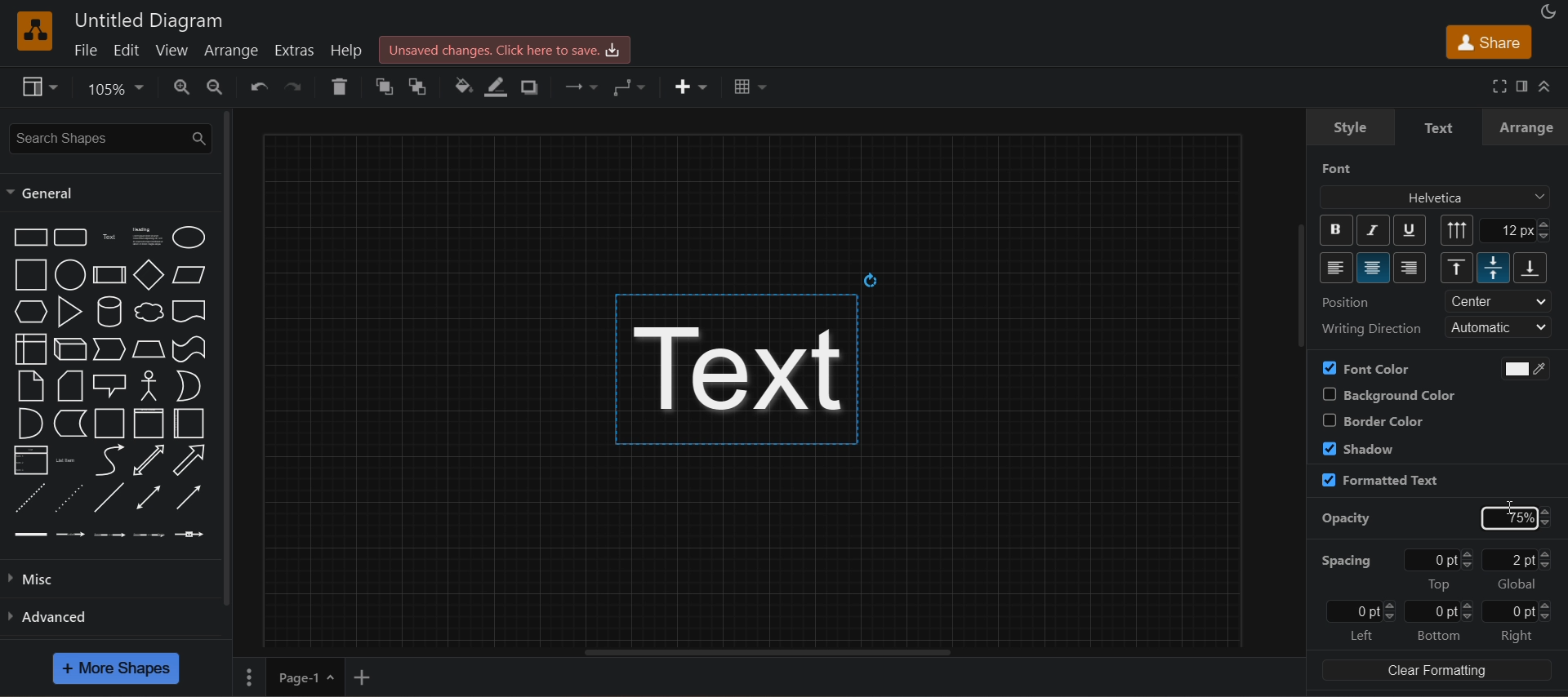 This screenshot has width=1568, height=697. What do you see at coordinates (191, 460) in the screenshot?
I see `arrow` at bounding box center [191, 460].